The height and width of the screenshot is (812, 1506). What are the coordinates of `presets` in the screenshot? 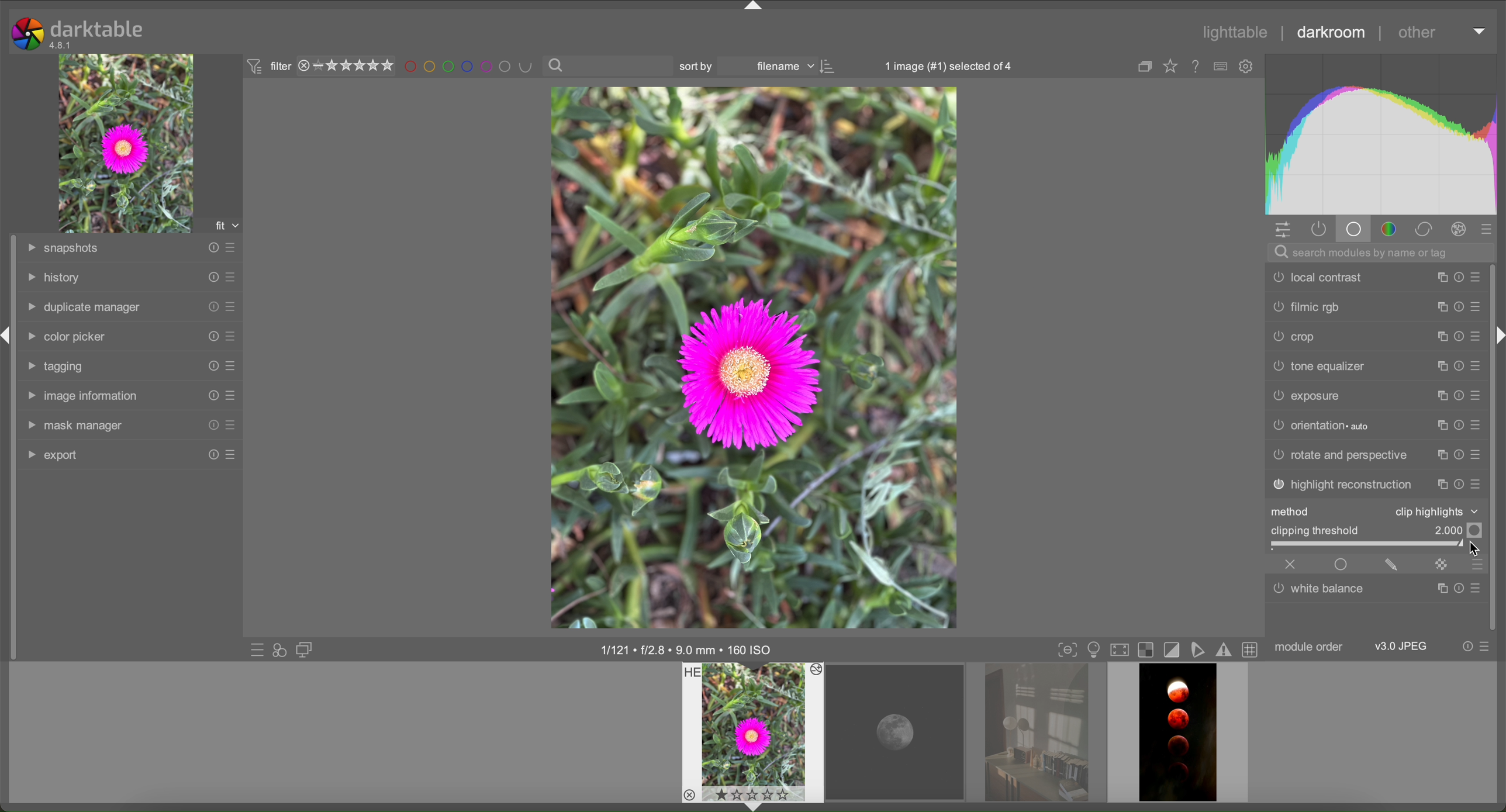 It's located at (1491, 228).